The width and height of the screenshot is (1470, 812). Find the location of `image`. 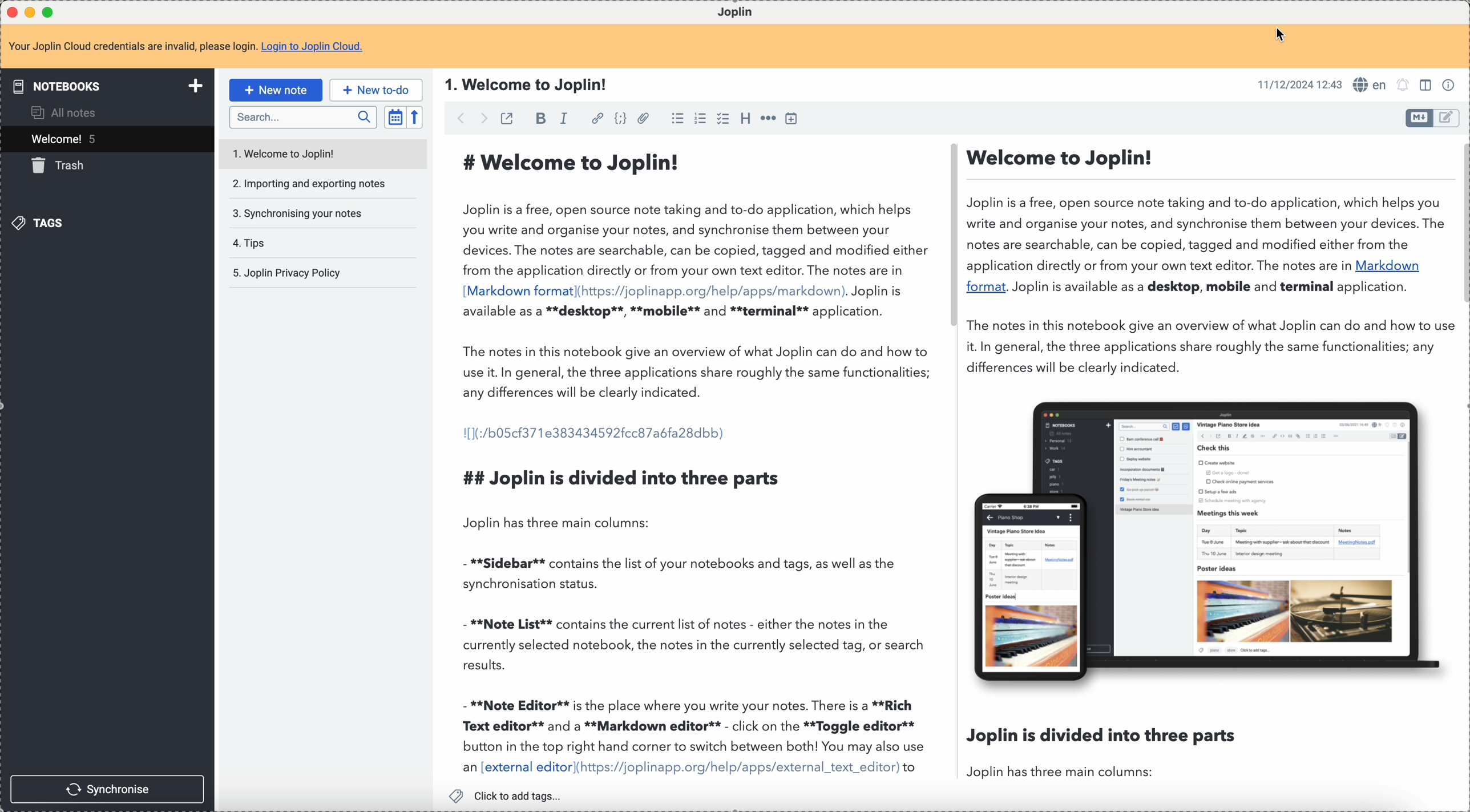

image is located at coordinates (1214, 540).